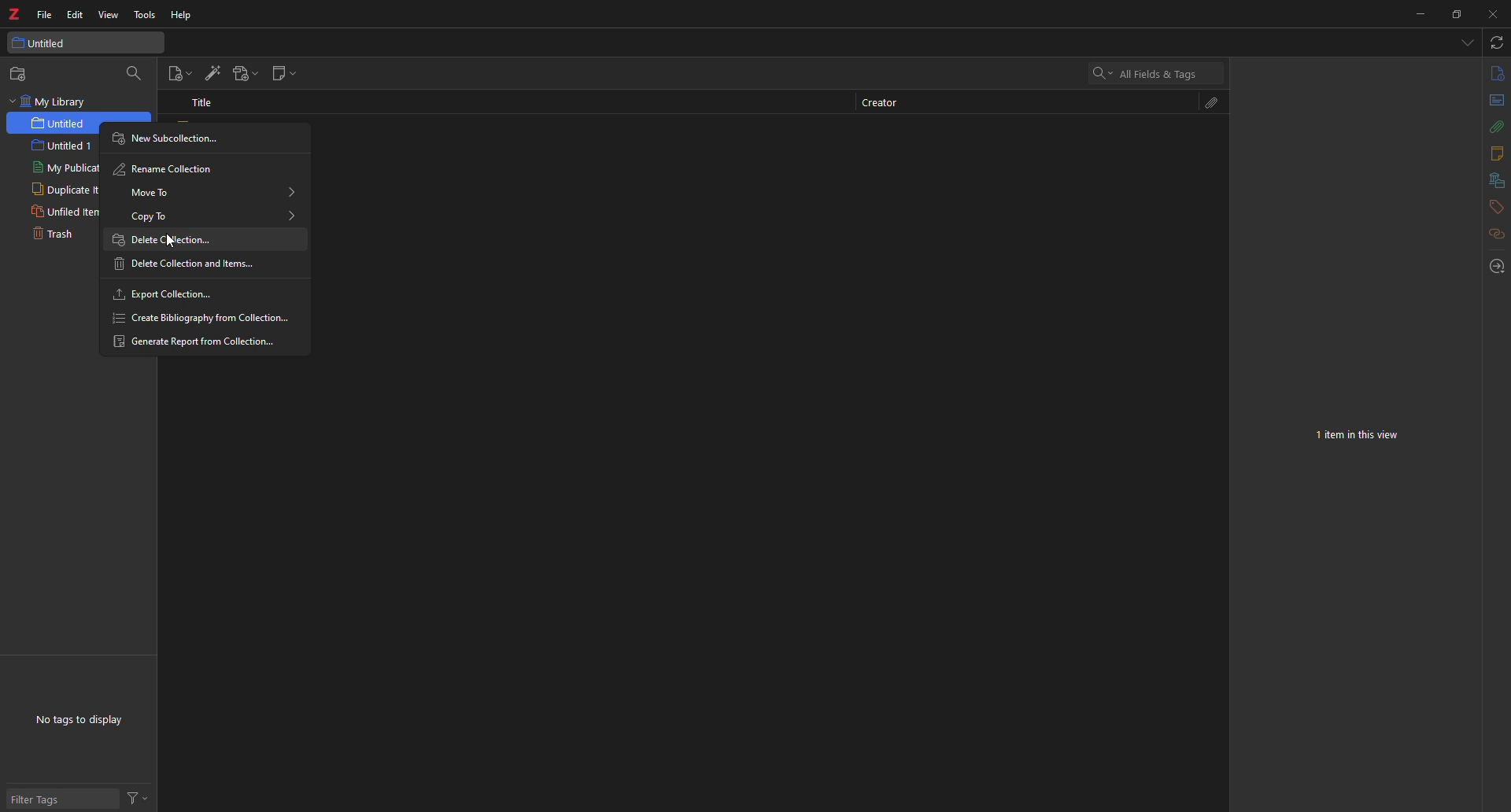 The height and width of the screenshot is (812, 1511). Describe the element at coordinates (172, 240) in the screenshot. I see `delete collection` at that location.